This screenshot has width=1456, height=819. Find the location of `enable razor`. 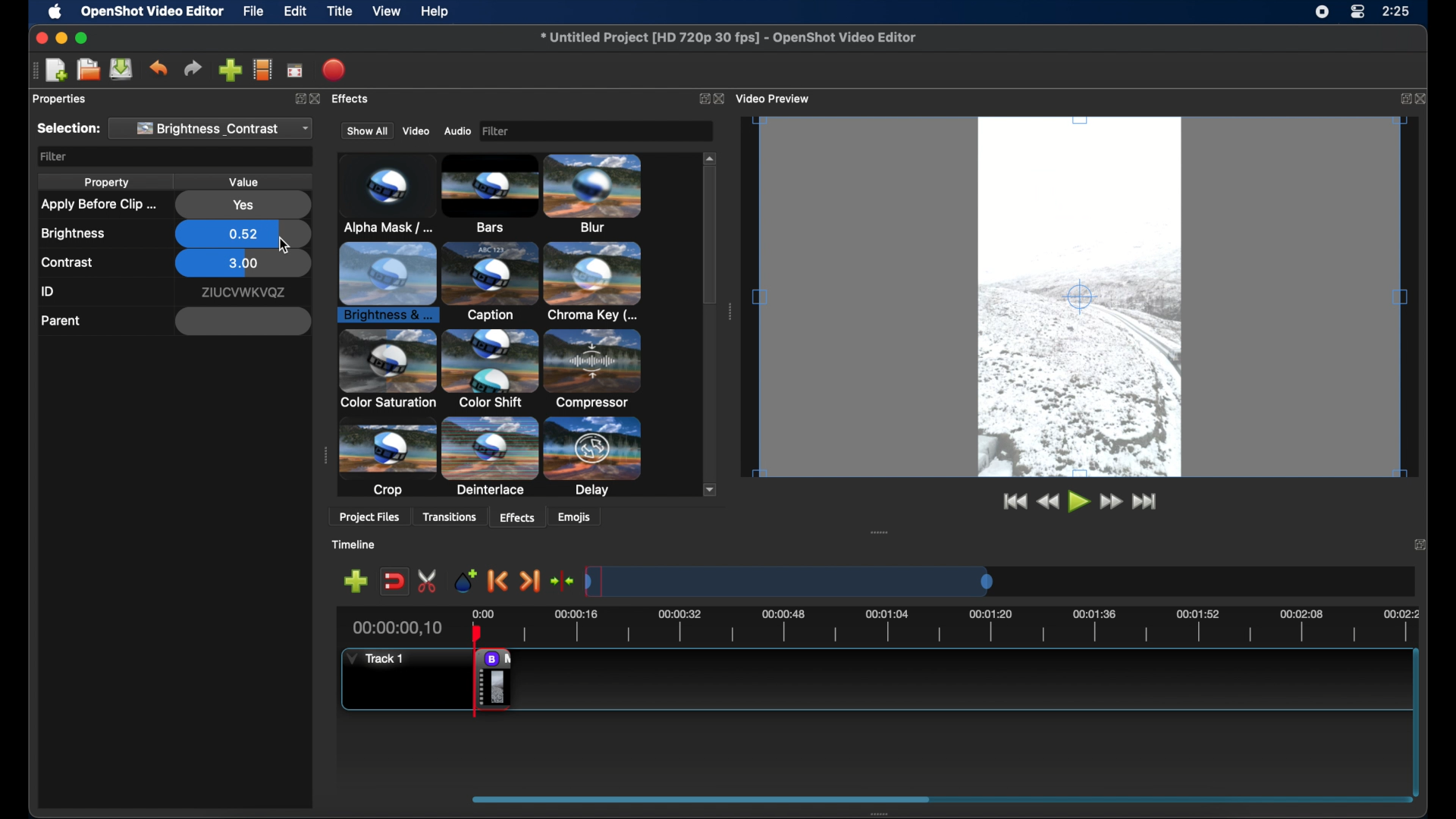

enable razor is located at coordinates (422, 581).